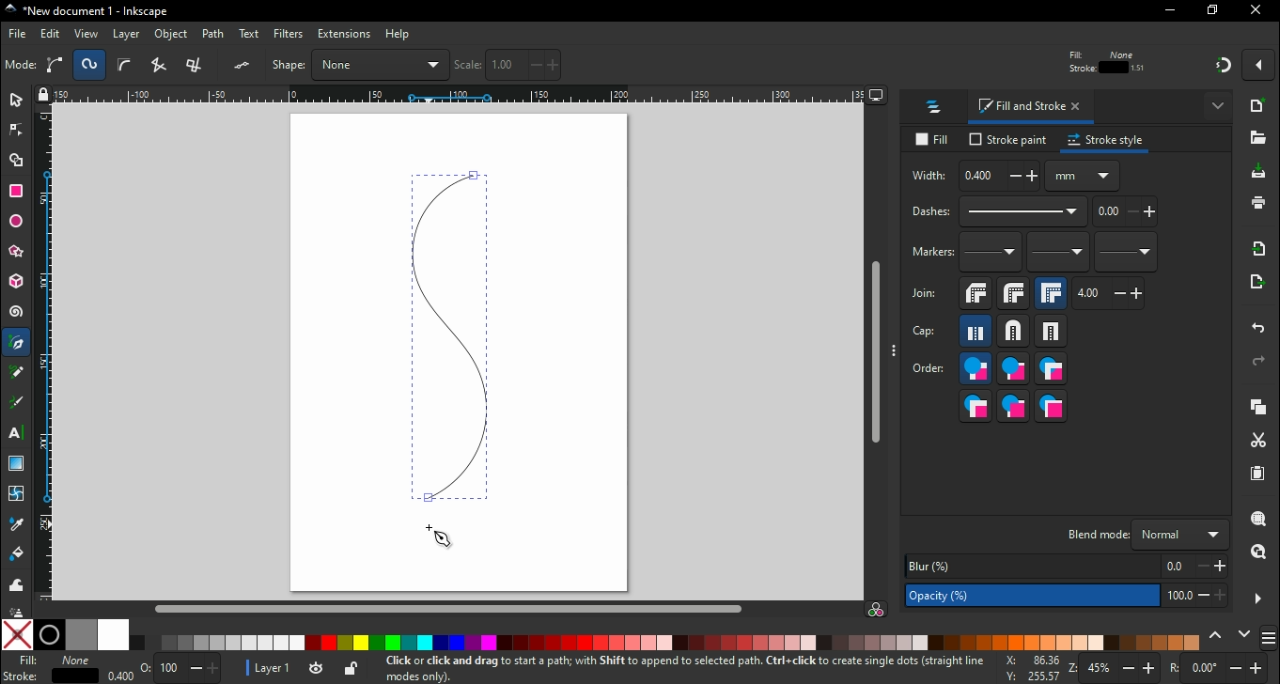 The height and width of the screenshot is (684, 1280). I want to click on close window, so click(1258, 11).